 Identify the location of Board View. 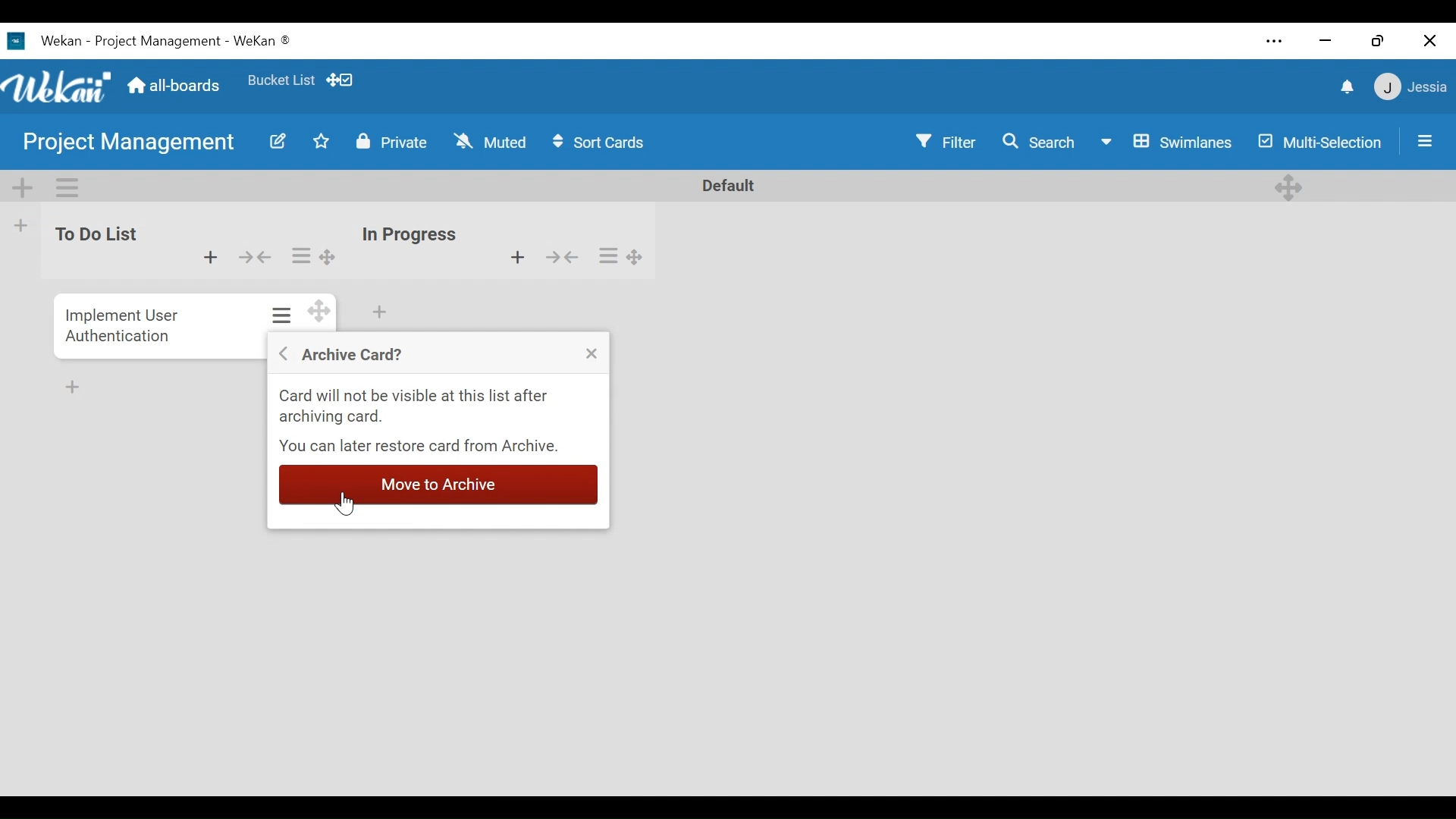
(1169, 143).